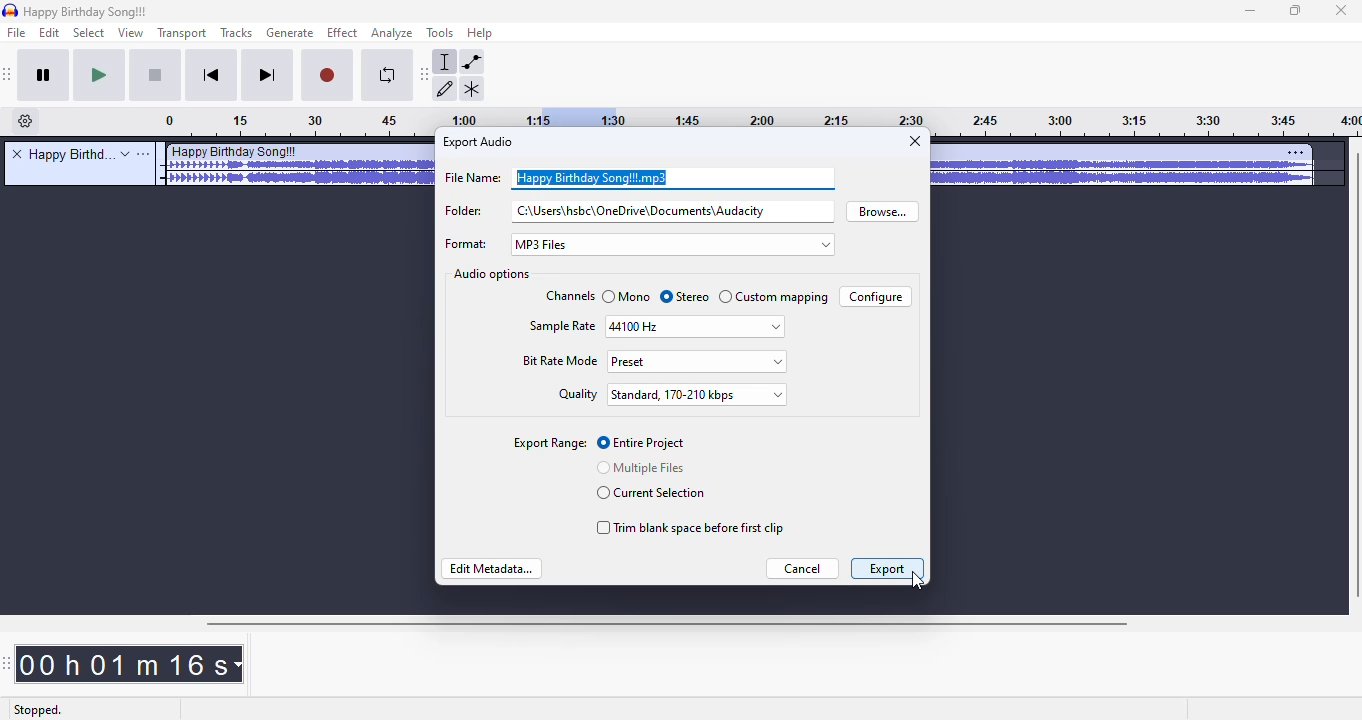 This screenshot has width=1362, height=720. Describe the element at coordinates (290, 33) in the screenshot. I see `generate` at that location.